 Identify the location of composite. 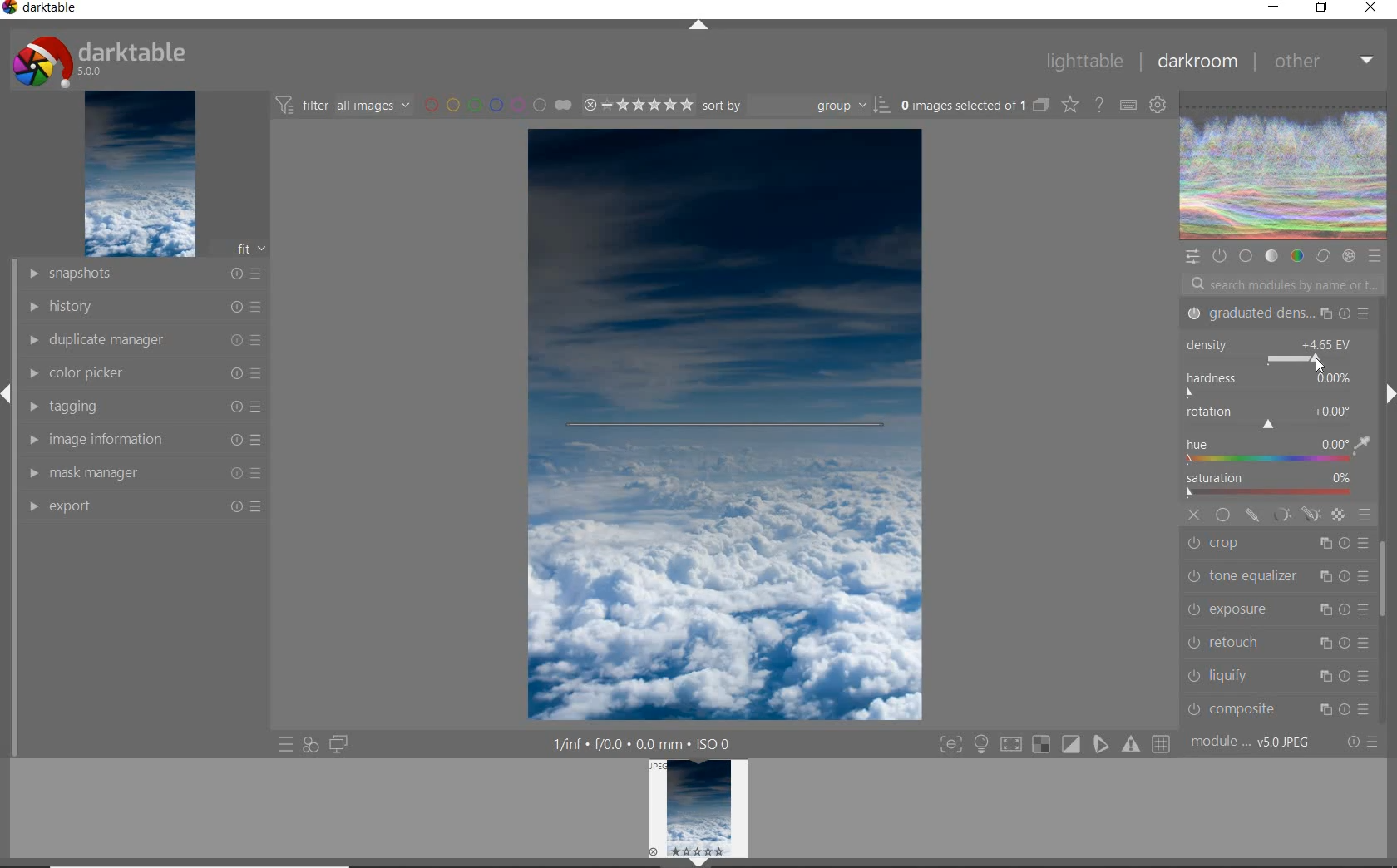
(1278, 708).